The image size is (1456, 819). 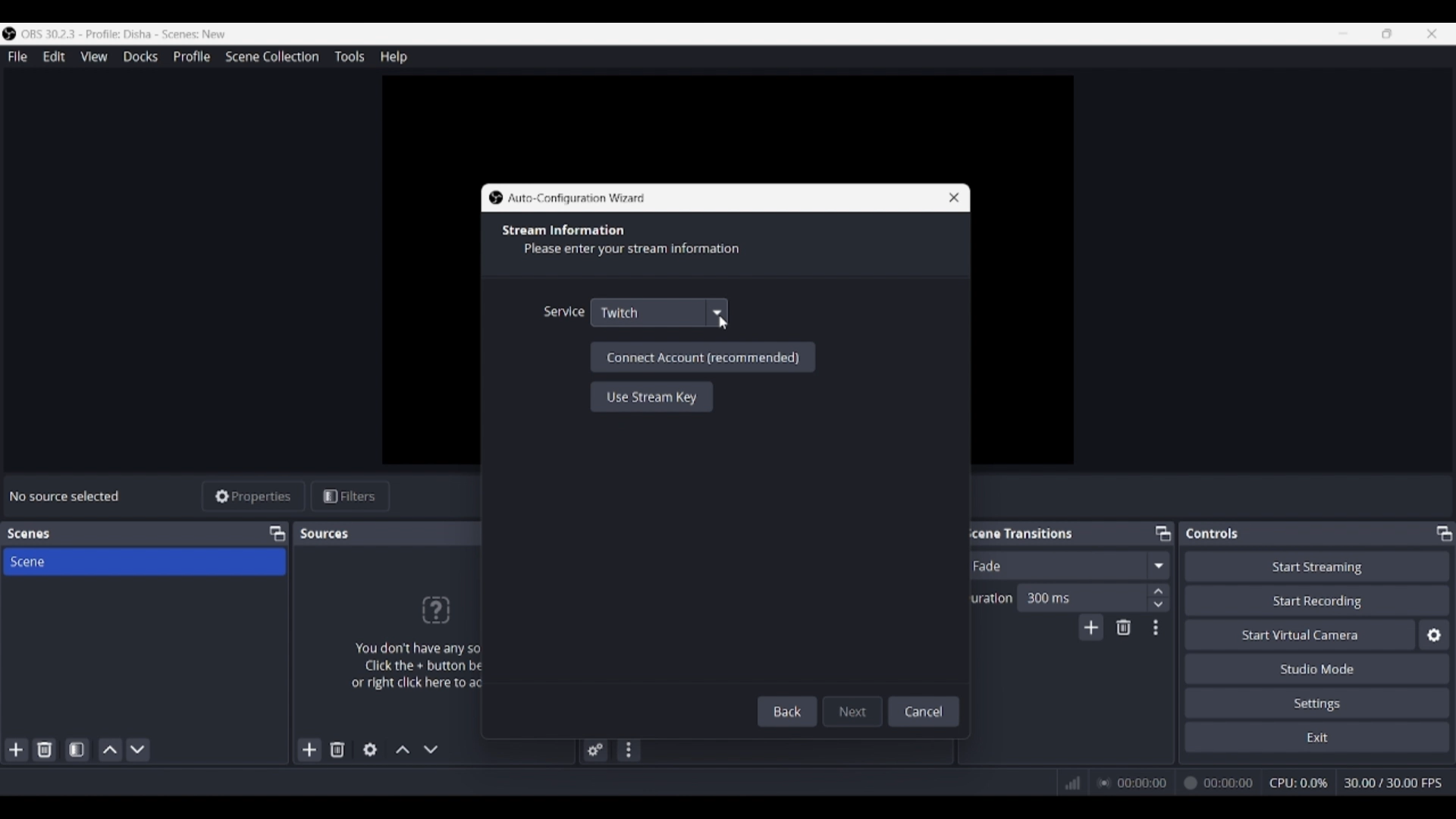 What do you see at coordinates (310, 749) in the screenshot?
I see `Add source` at bounding box center [310, 749].